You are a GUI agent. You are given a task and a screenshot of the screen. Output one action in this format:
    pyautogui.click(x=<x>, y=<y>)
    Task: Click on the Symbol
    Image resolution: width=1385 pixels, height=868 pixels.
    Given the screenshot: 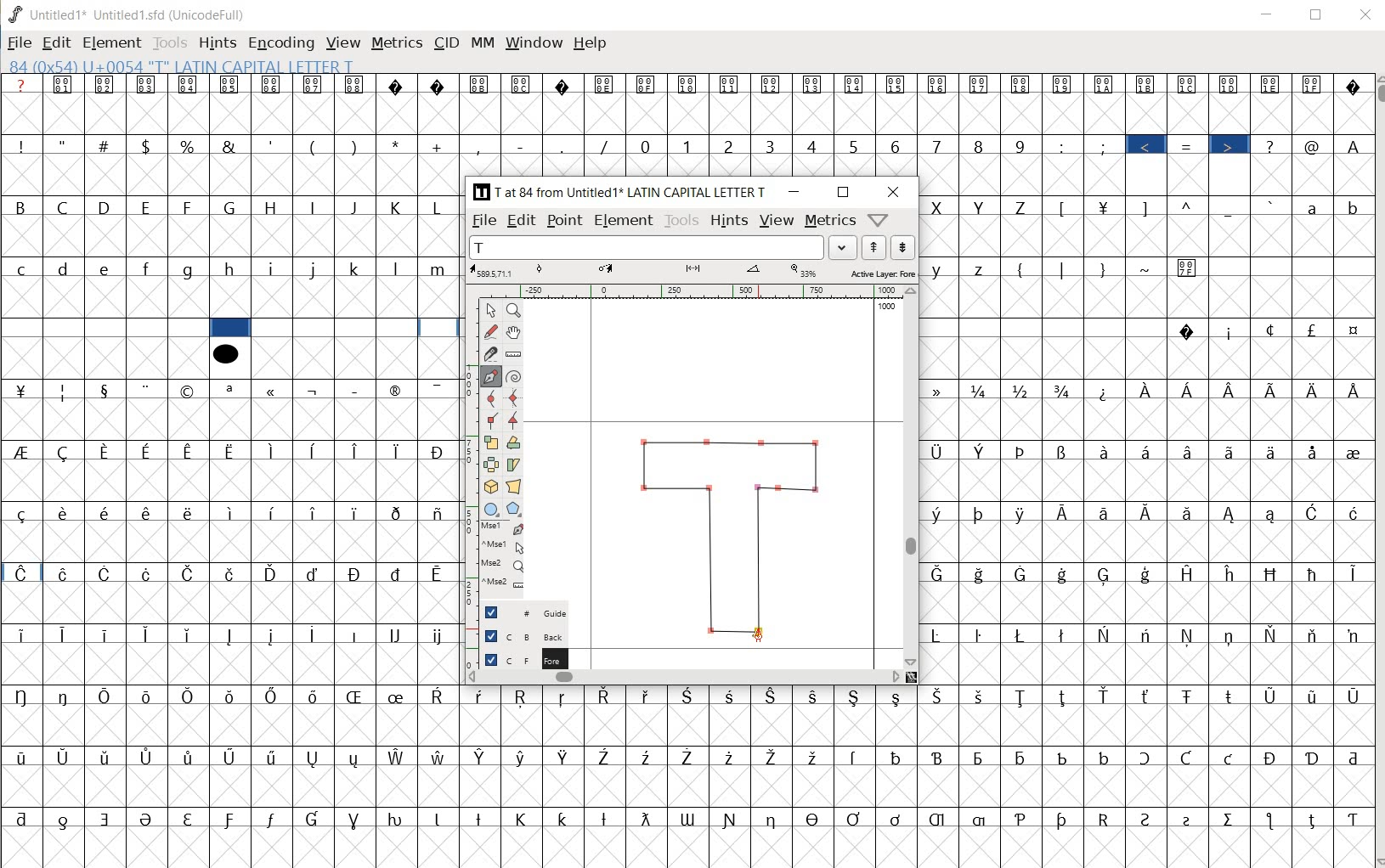 What is the action you would take?
    pyautogui.click(x=1020, y=634)
    